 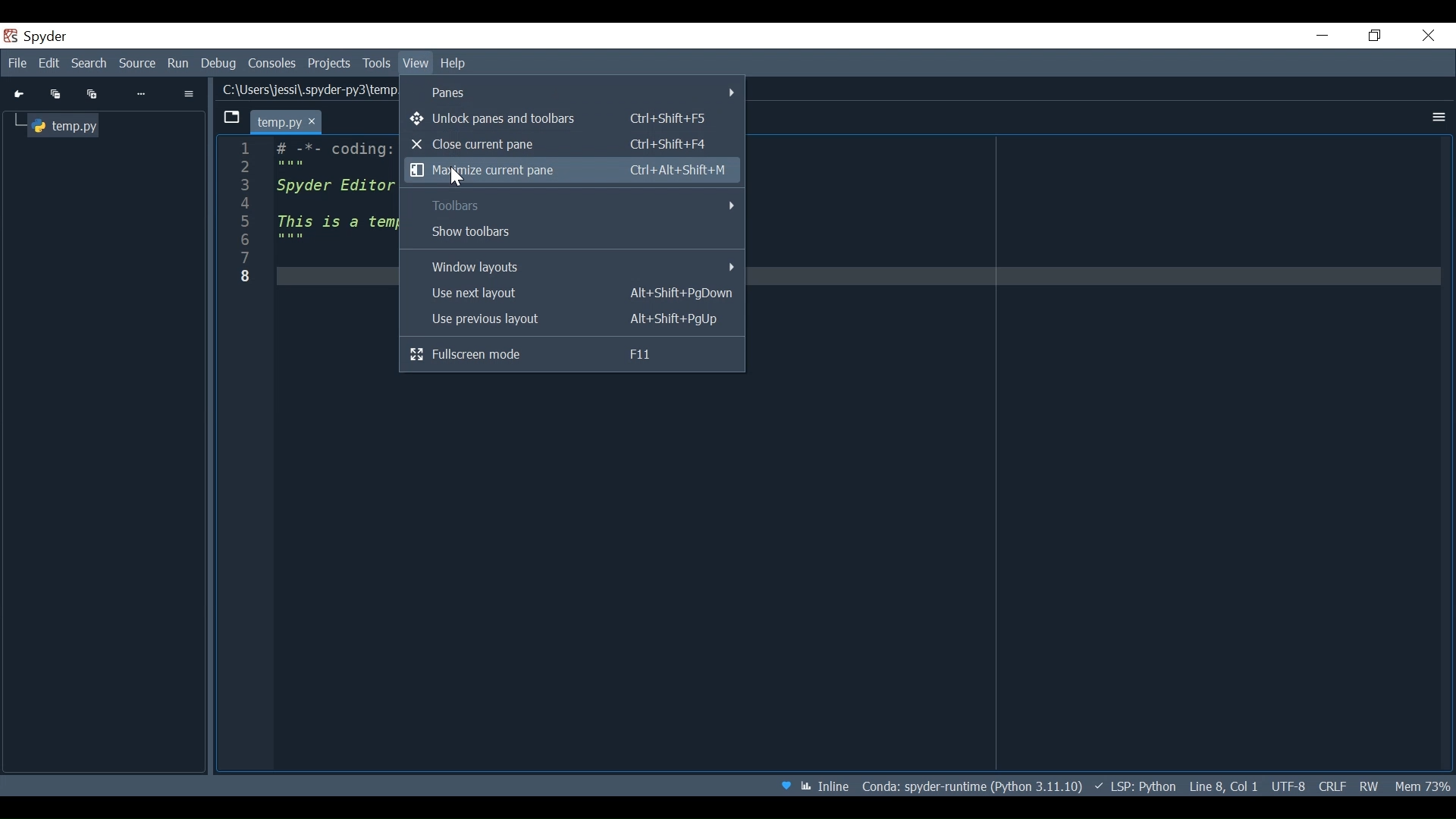 What do you see at coordinates (784, 785) in the screenshot?
I see `Help Spyder` at bounding box center [784, 785].